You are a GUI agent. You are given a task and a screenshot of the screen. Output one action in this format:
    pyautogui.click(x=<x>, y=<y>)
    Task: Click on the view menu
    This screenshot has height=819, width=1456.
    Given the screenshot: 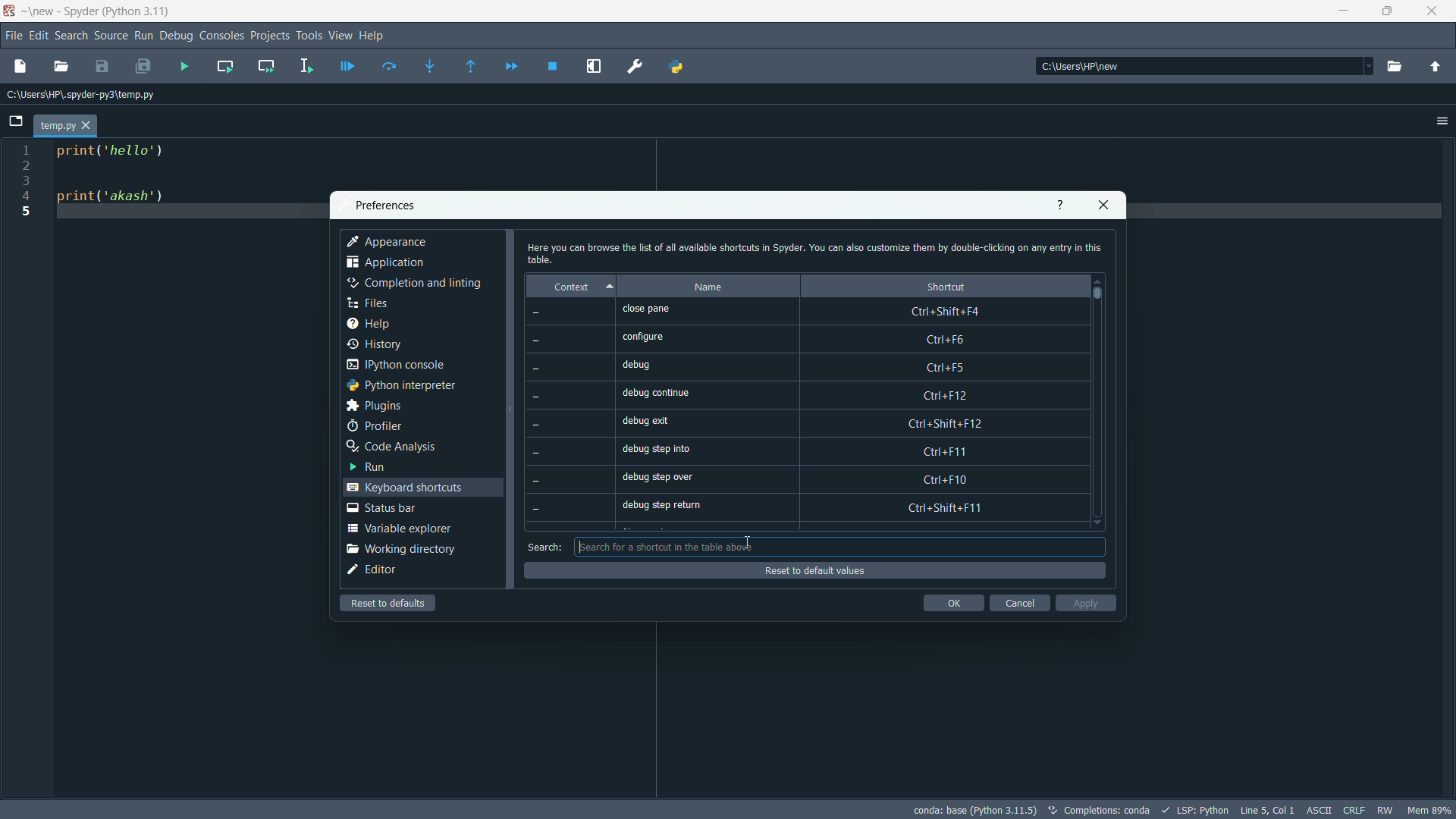 What is the action you would take?
    pyautogui.click(x=341, y=36)
    